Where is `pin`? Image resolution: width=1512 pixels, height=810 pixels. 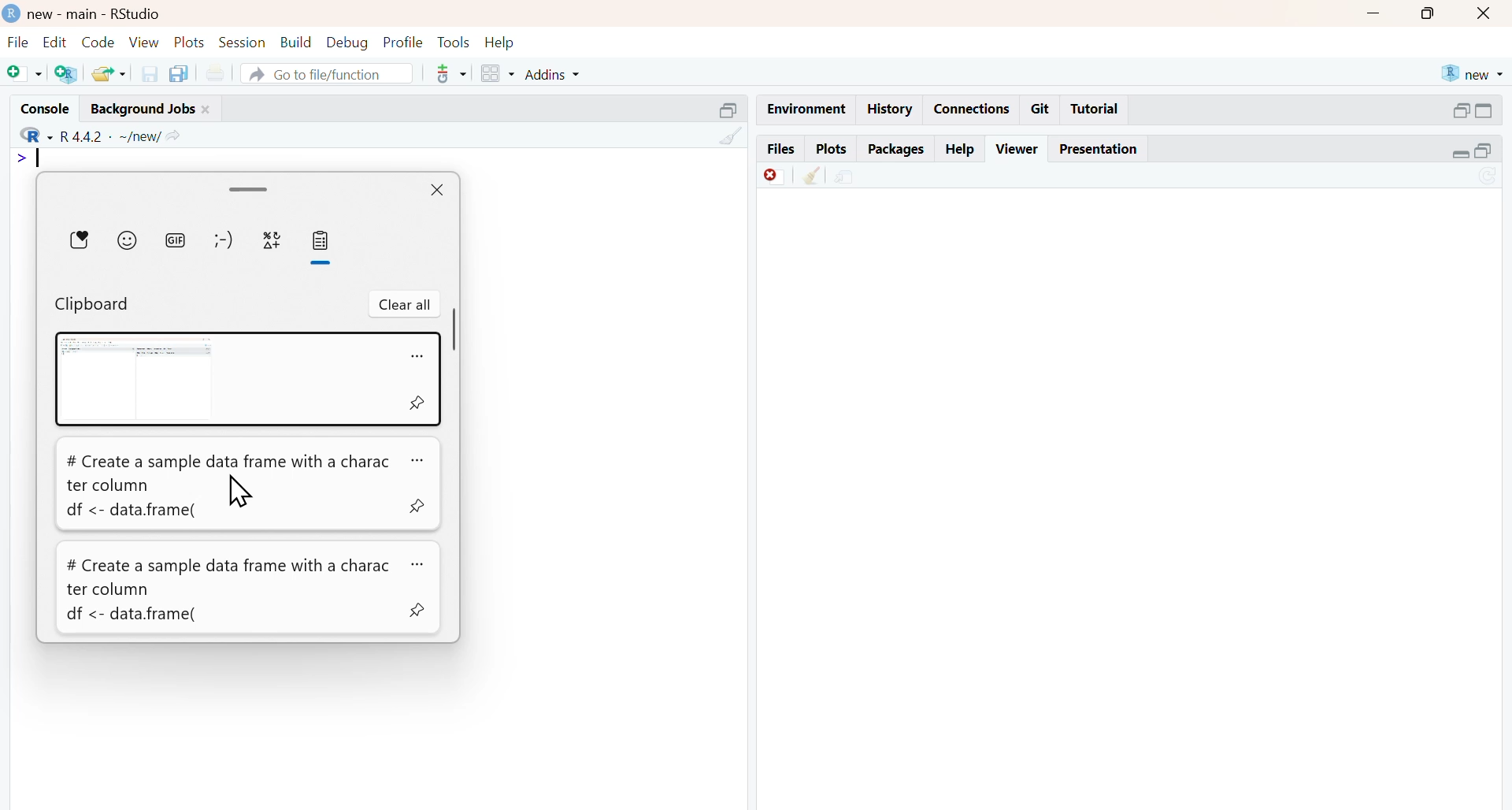 pin is located at coordinates (416, 508).